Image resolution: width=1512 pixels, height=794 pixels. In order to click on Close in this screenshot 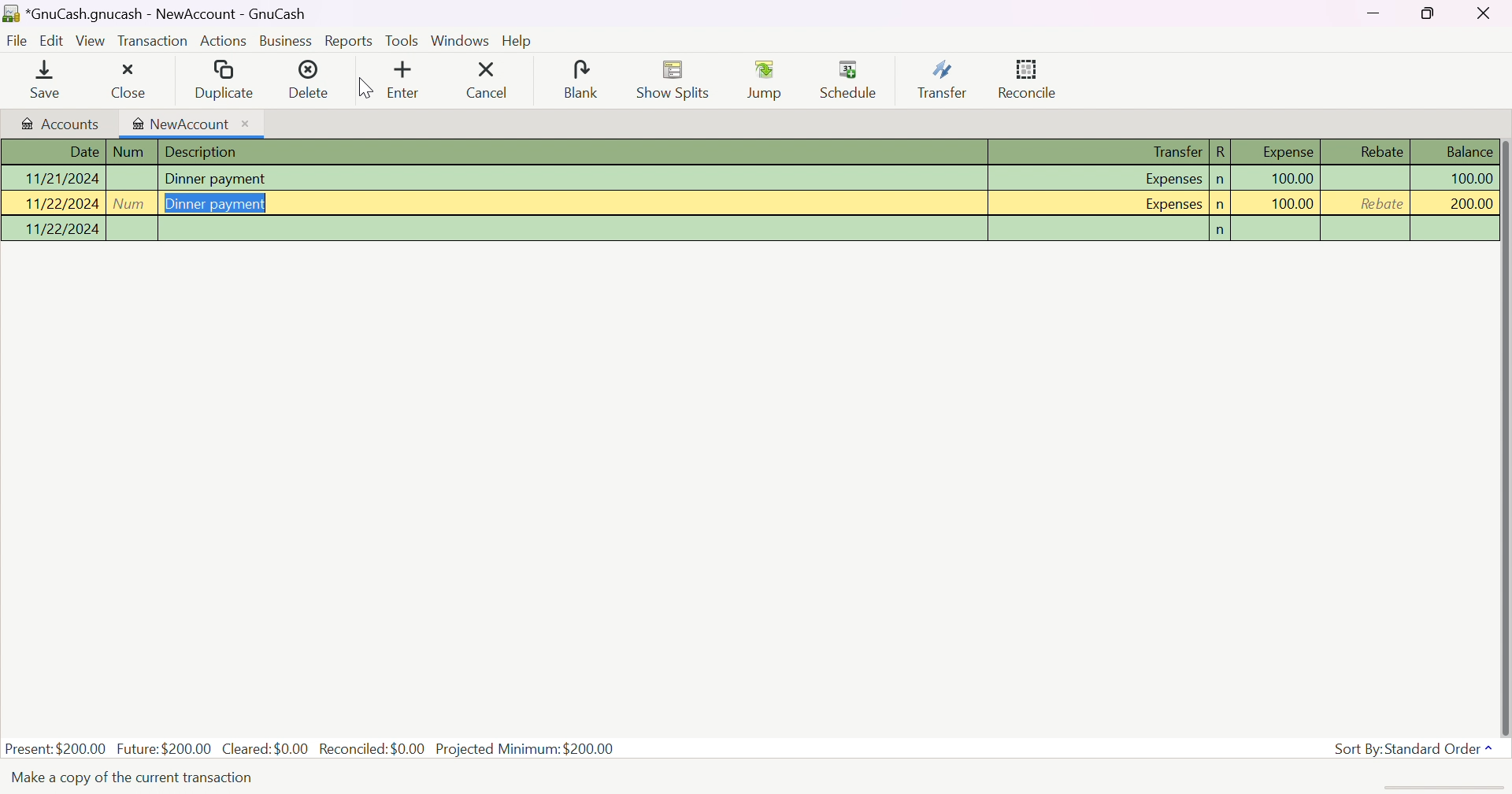, I will do `click(127, 83)`.